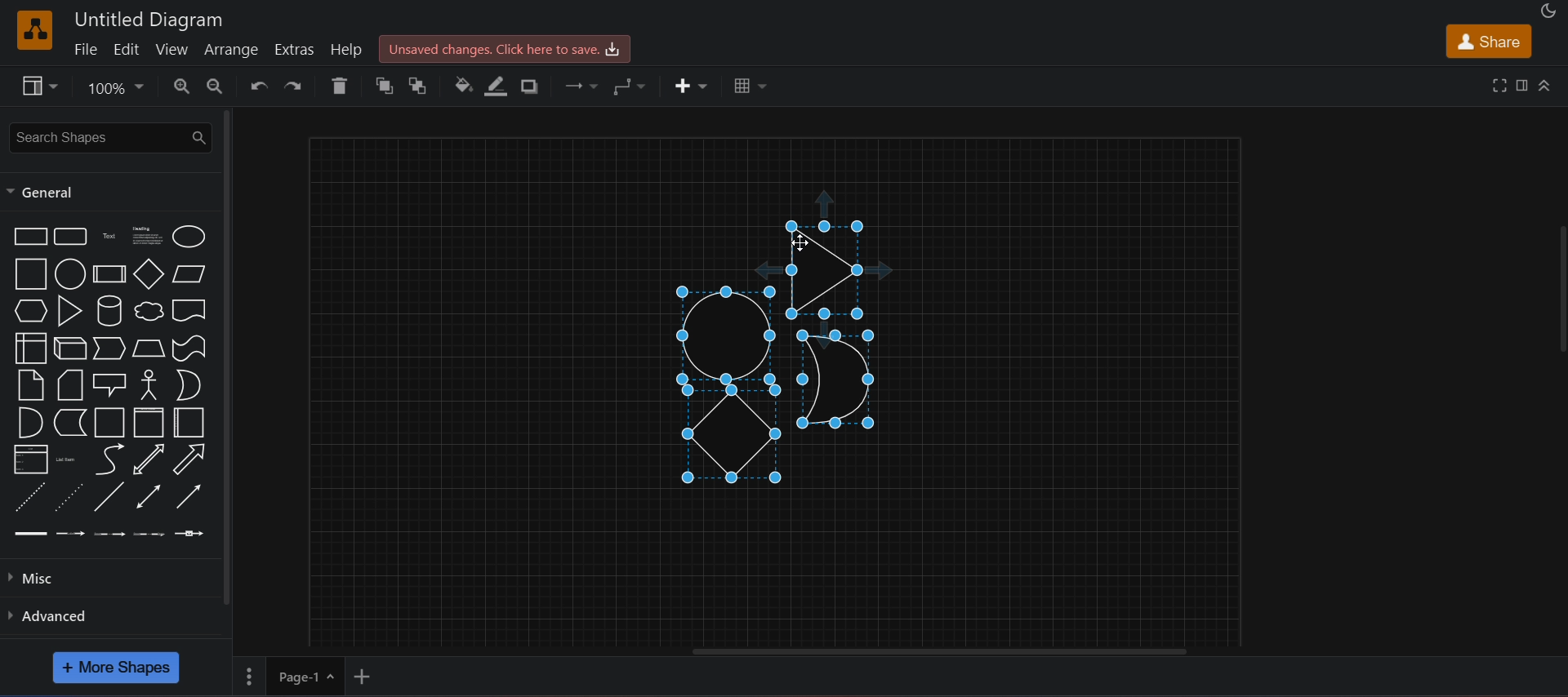 This screenshot has width=1568, height=697. Describe the element at coordinates (187, 237) in the screenshot. I see `ellipse` at that location.